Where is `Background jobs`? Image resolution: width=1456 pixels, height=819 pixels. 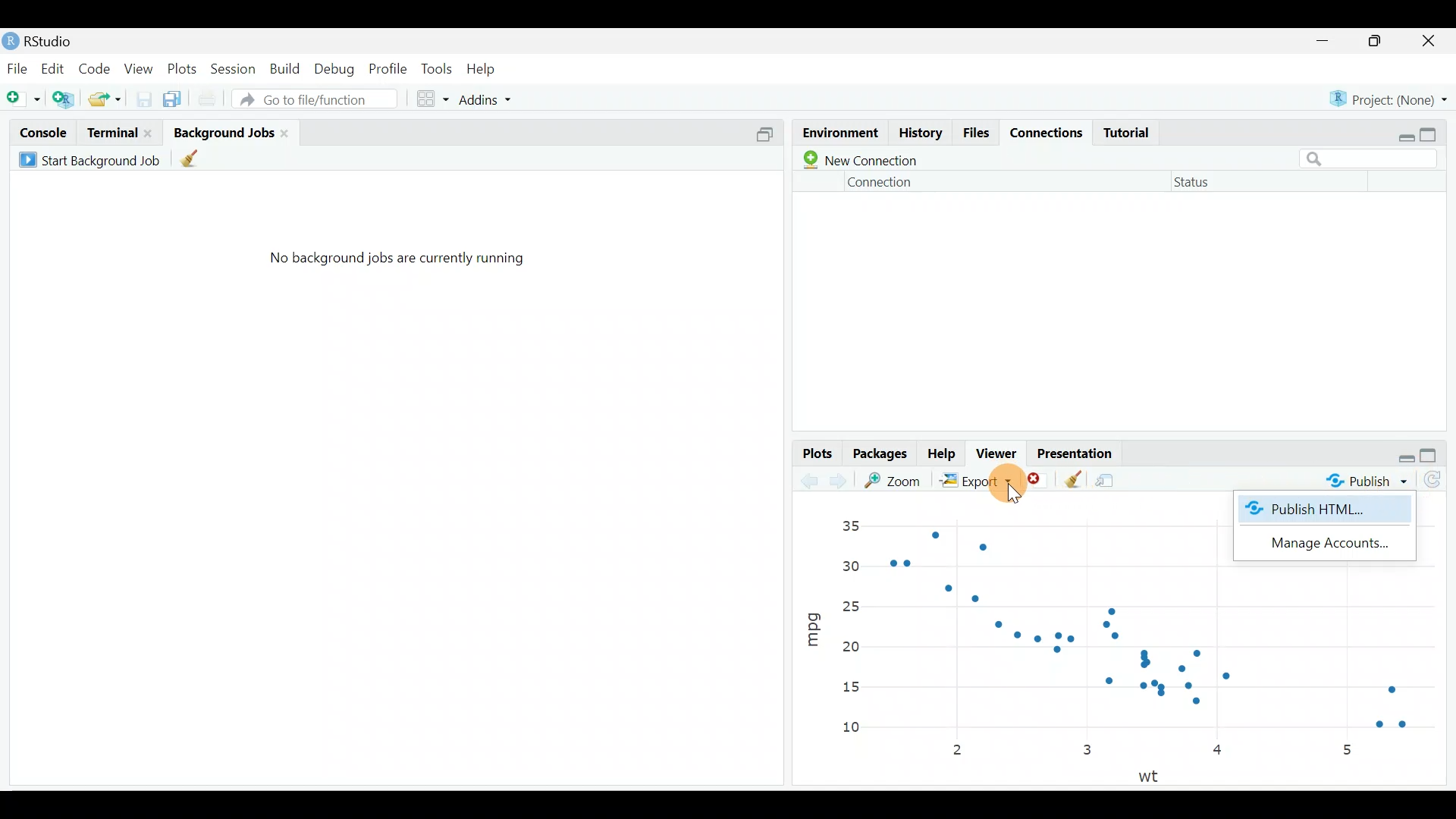
Background jobs is located at coordinates (223, 127).